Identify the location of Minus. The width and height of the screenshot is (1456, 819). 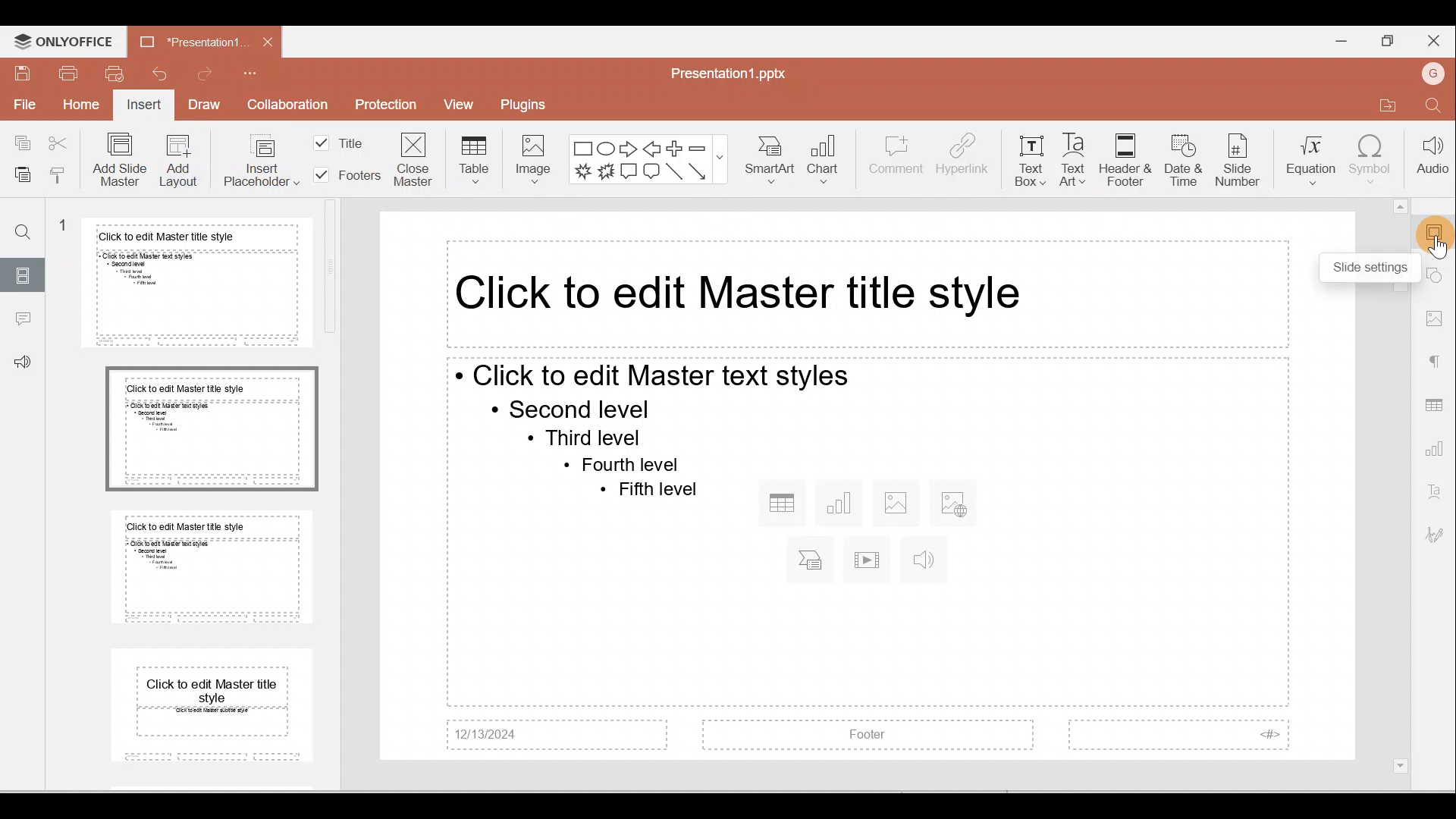
(697, 147).